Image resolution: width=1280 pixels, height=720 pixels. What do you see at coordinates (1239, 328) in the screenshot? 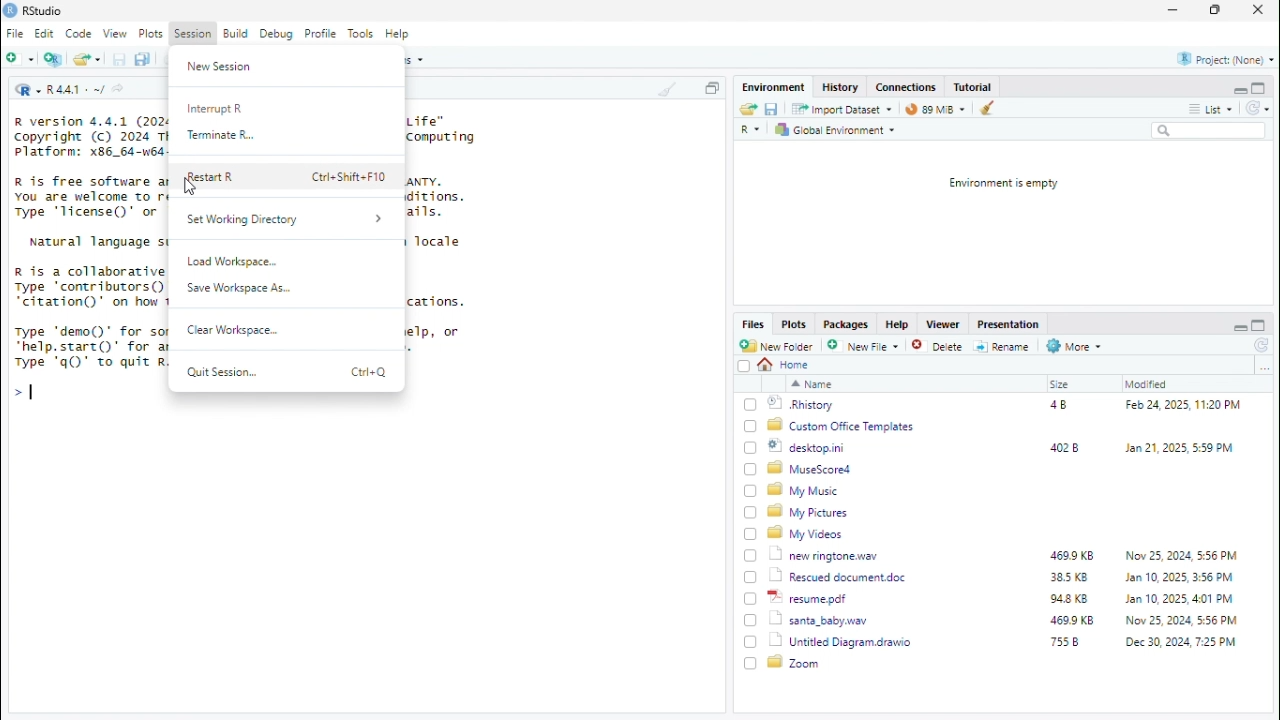
I see `minimise` at bounding box center [1239, 328].